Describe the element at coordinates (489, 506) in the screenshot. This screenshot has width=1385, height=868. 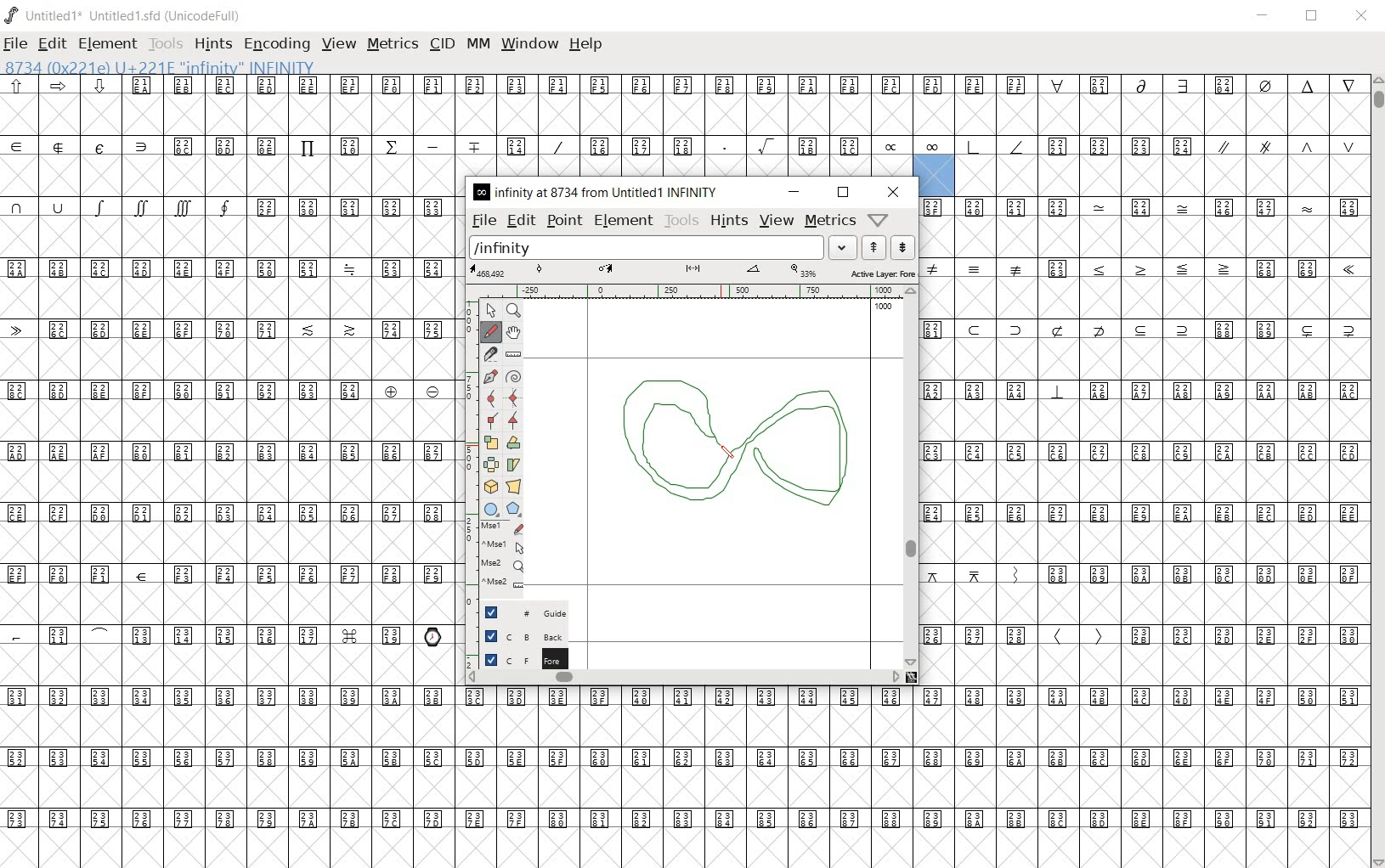
I see `rectangle or ellipse` at that location.